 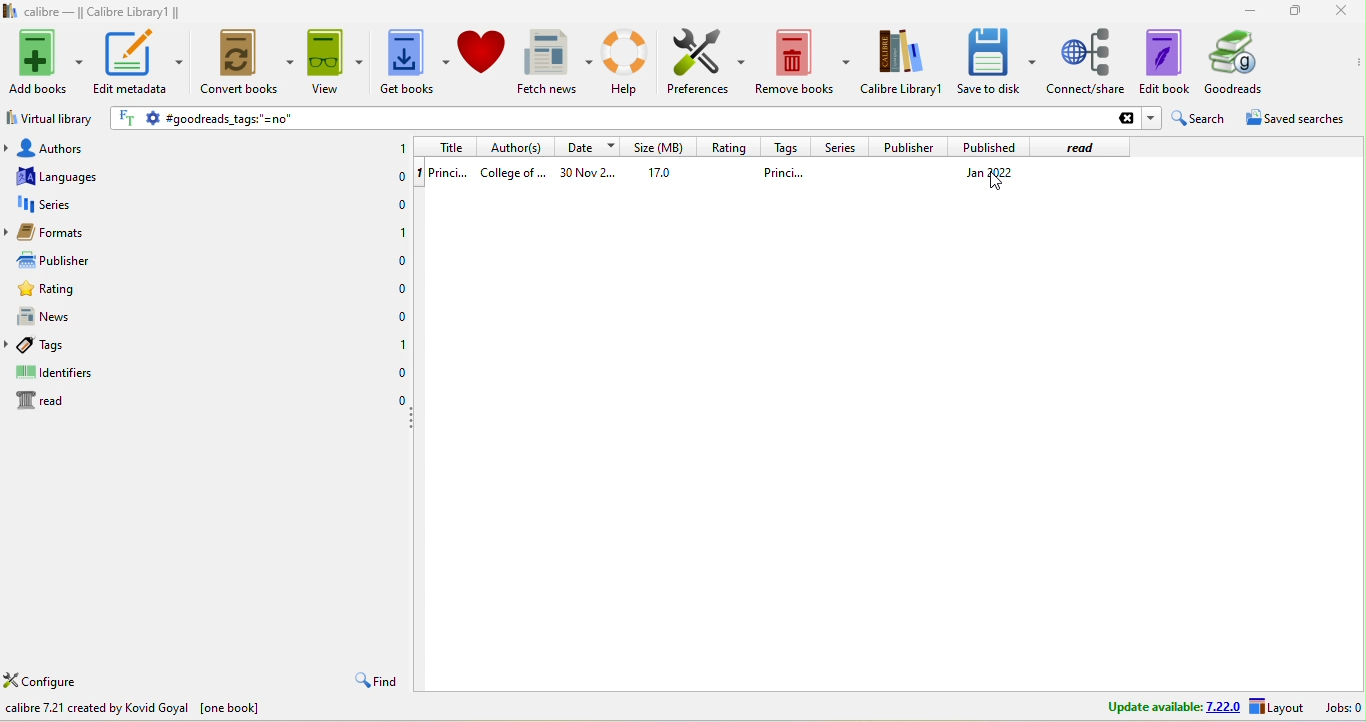 What do you see at coordinates (44, 62) in the screenshot?
I see `add books` at bounding box center [44, 62].